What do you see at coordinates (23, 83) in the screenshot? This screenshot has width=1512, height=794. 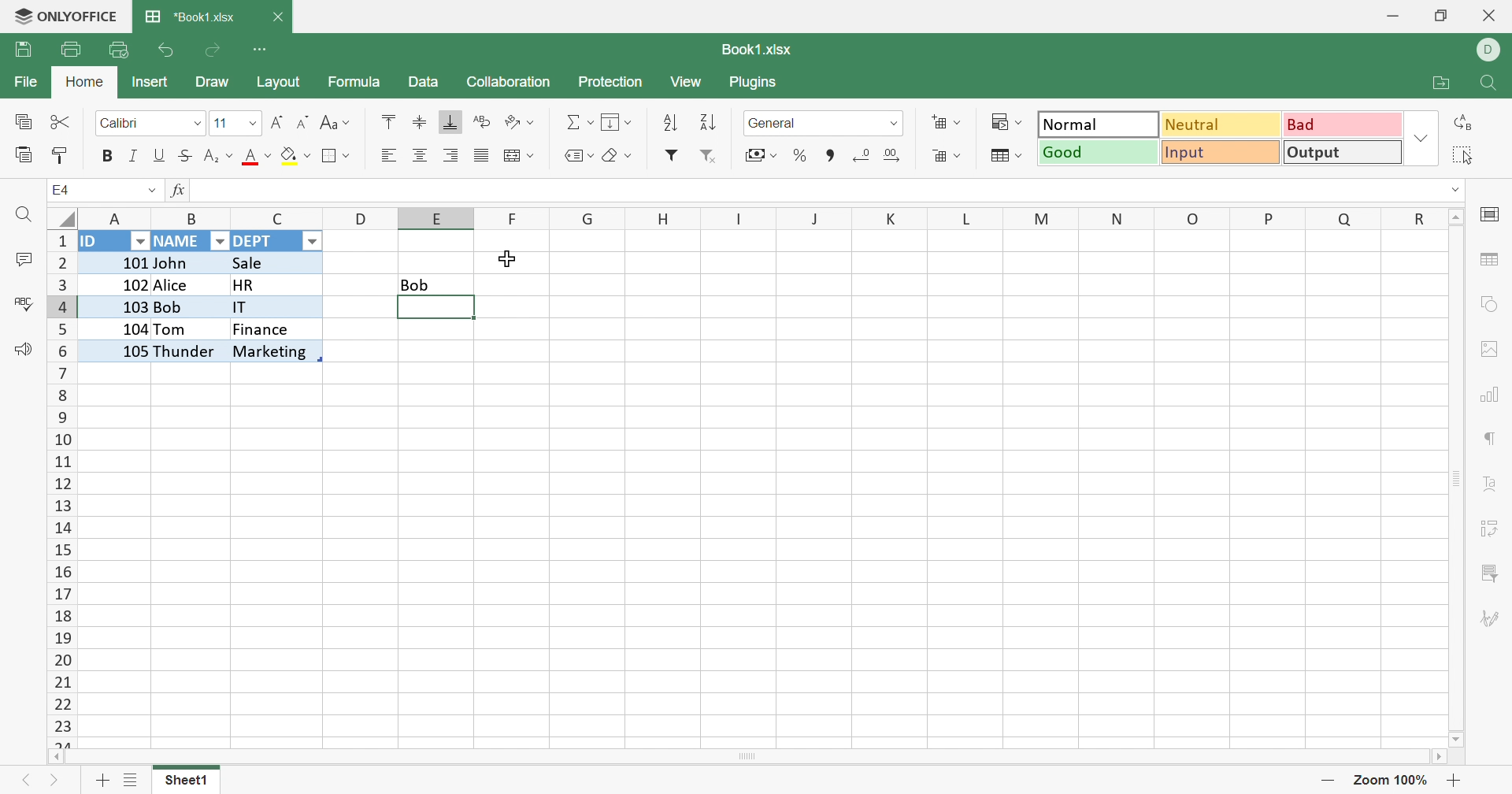 I see `File` at bounding box center [23, 83].